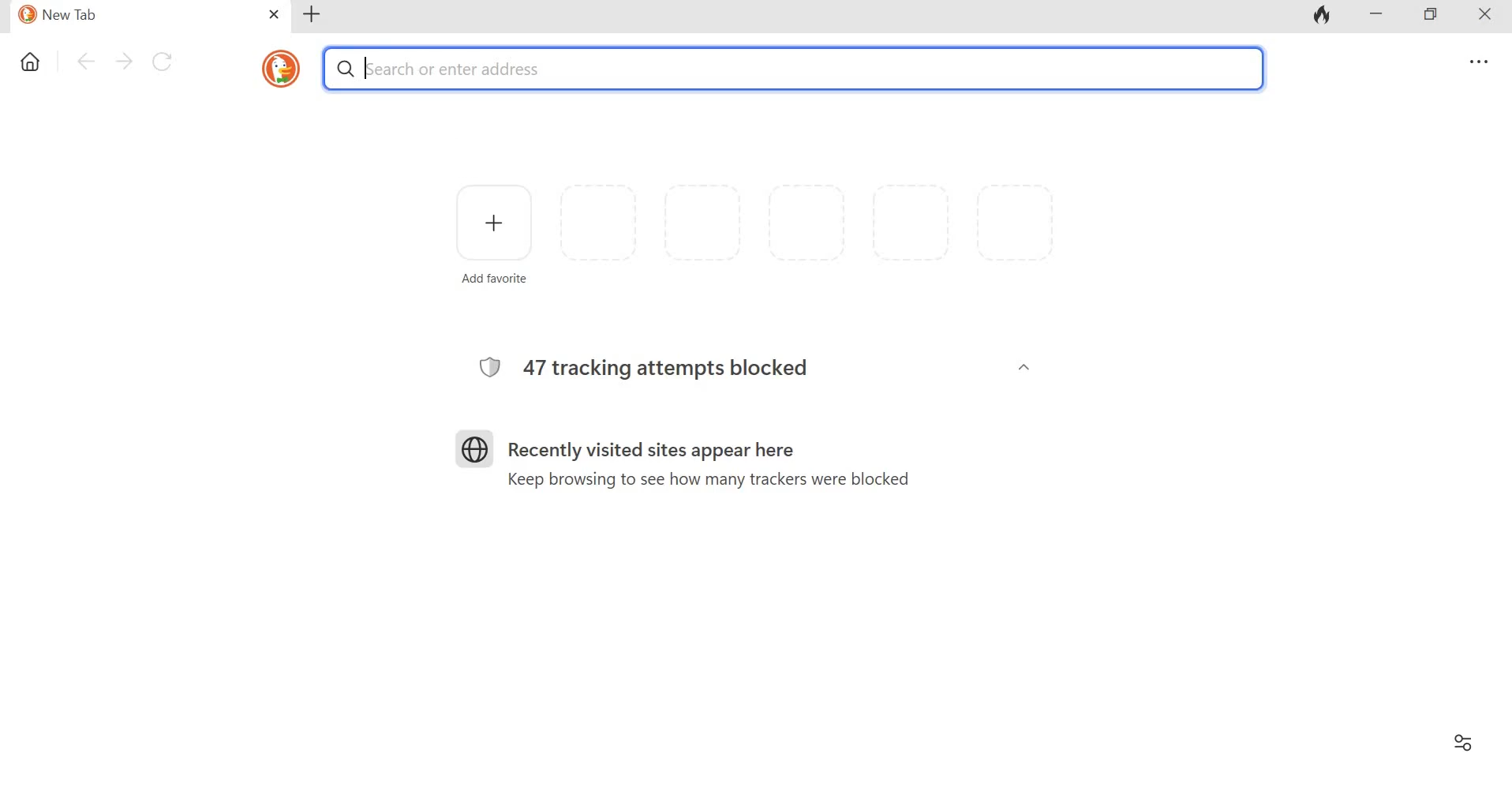 The width and height of the screenshot is (1512, 791). I want to click on Search symbol, so click(346, 69).